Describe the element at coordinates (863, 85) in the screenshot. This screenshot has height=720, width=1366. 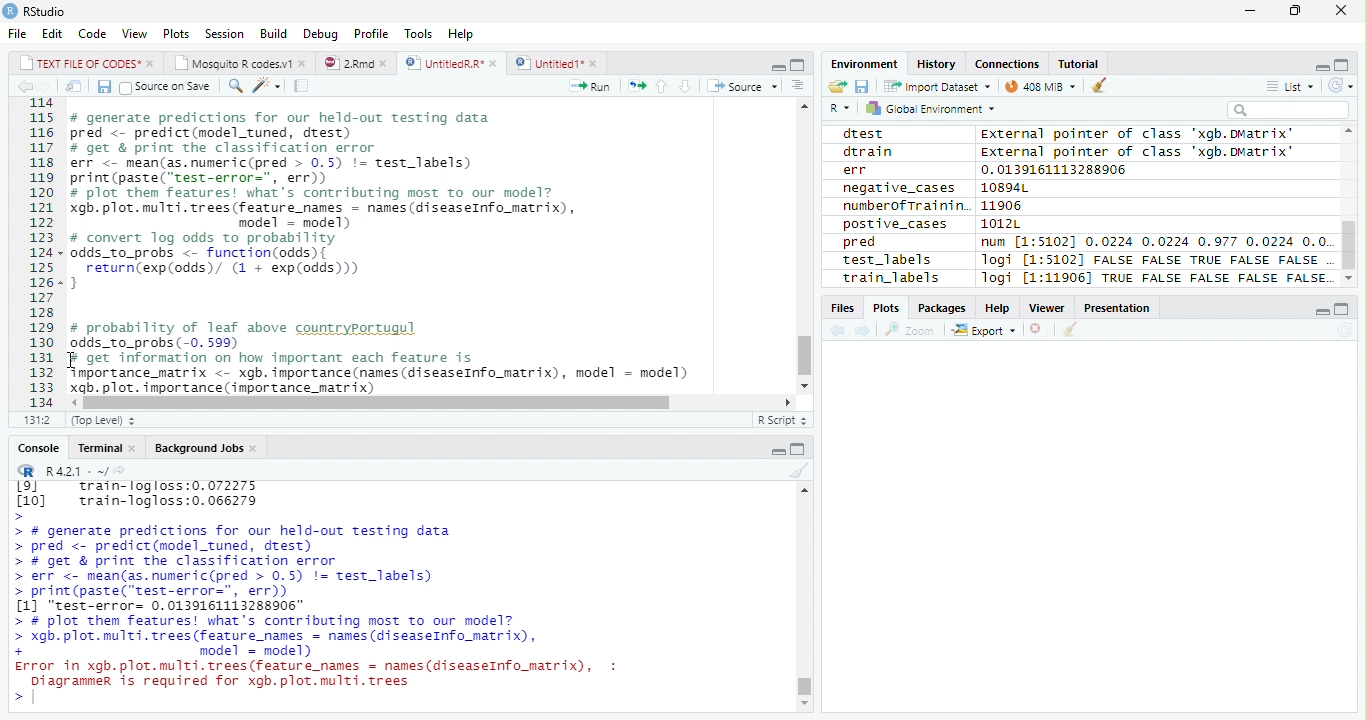
I see `Save` at that location.